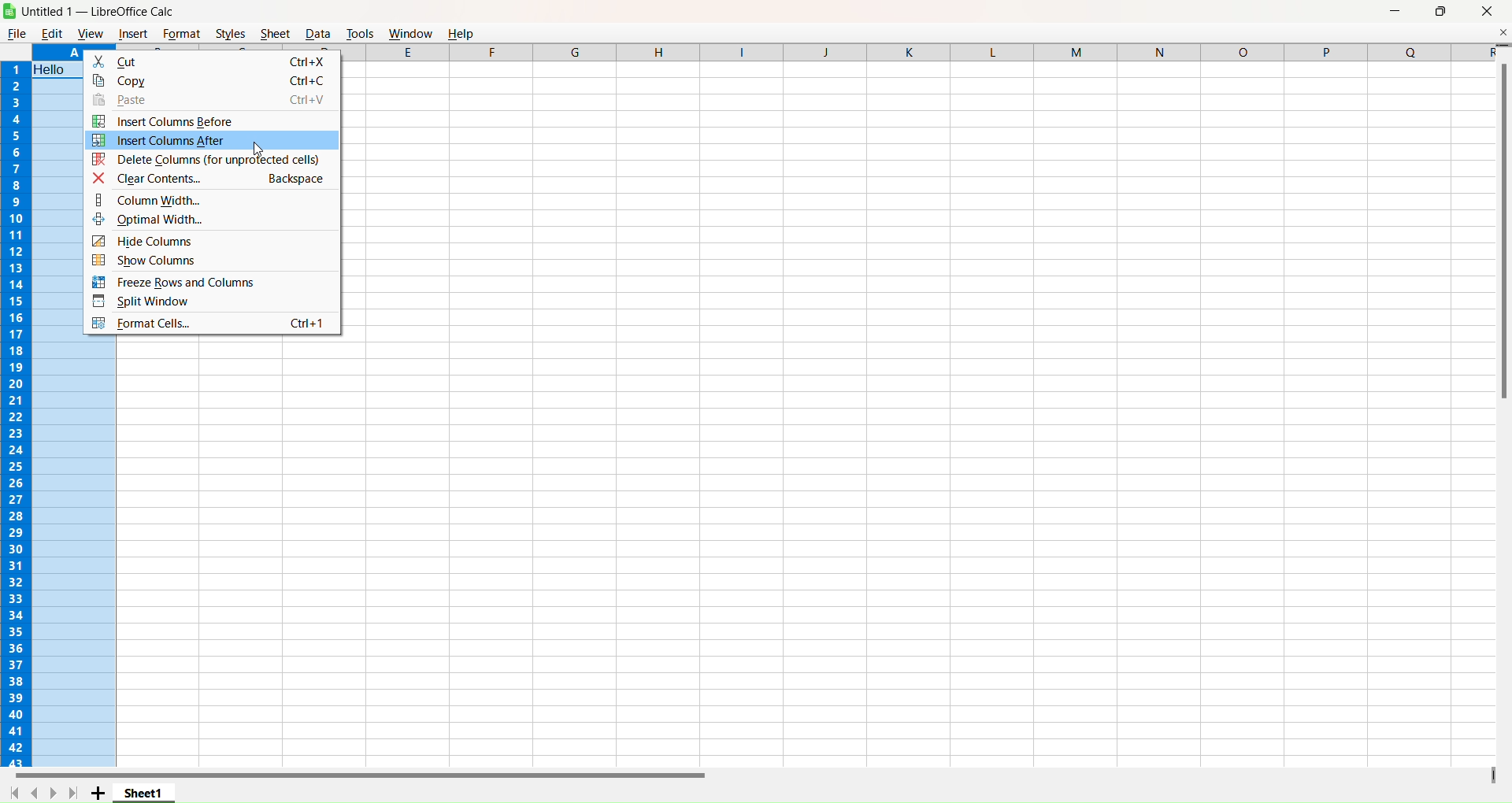 The height and width of the screenshot is (803, 1512). What do you see at coordinates (144, 792) in the screenshot?
I see `Current Sheet` at bounding box center [144, 792].